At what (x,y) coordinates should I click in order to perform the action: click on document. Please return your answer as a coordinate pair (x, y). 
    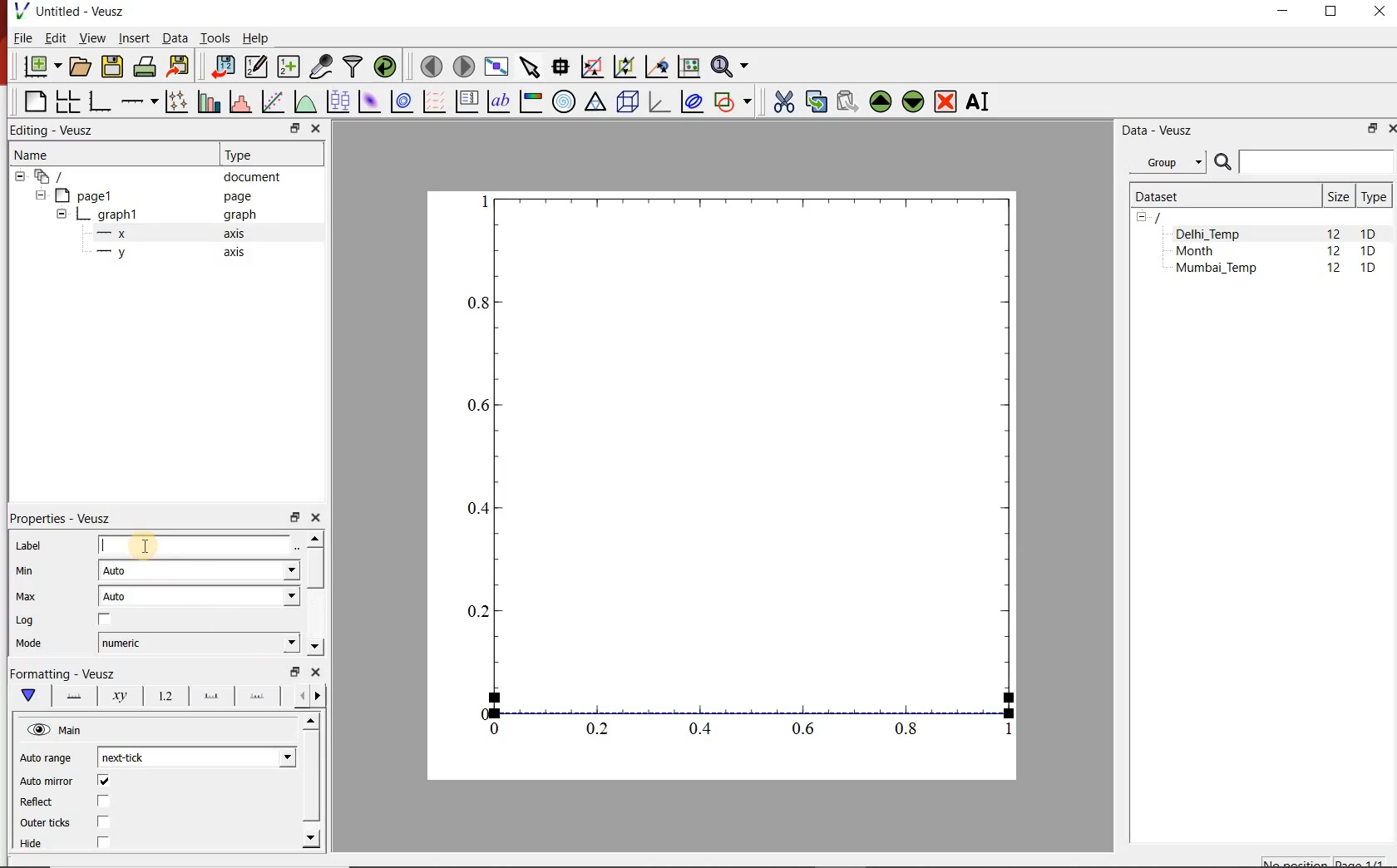
    Looking at the image, I should click on (151, 175).